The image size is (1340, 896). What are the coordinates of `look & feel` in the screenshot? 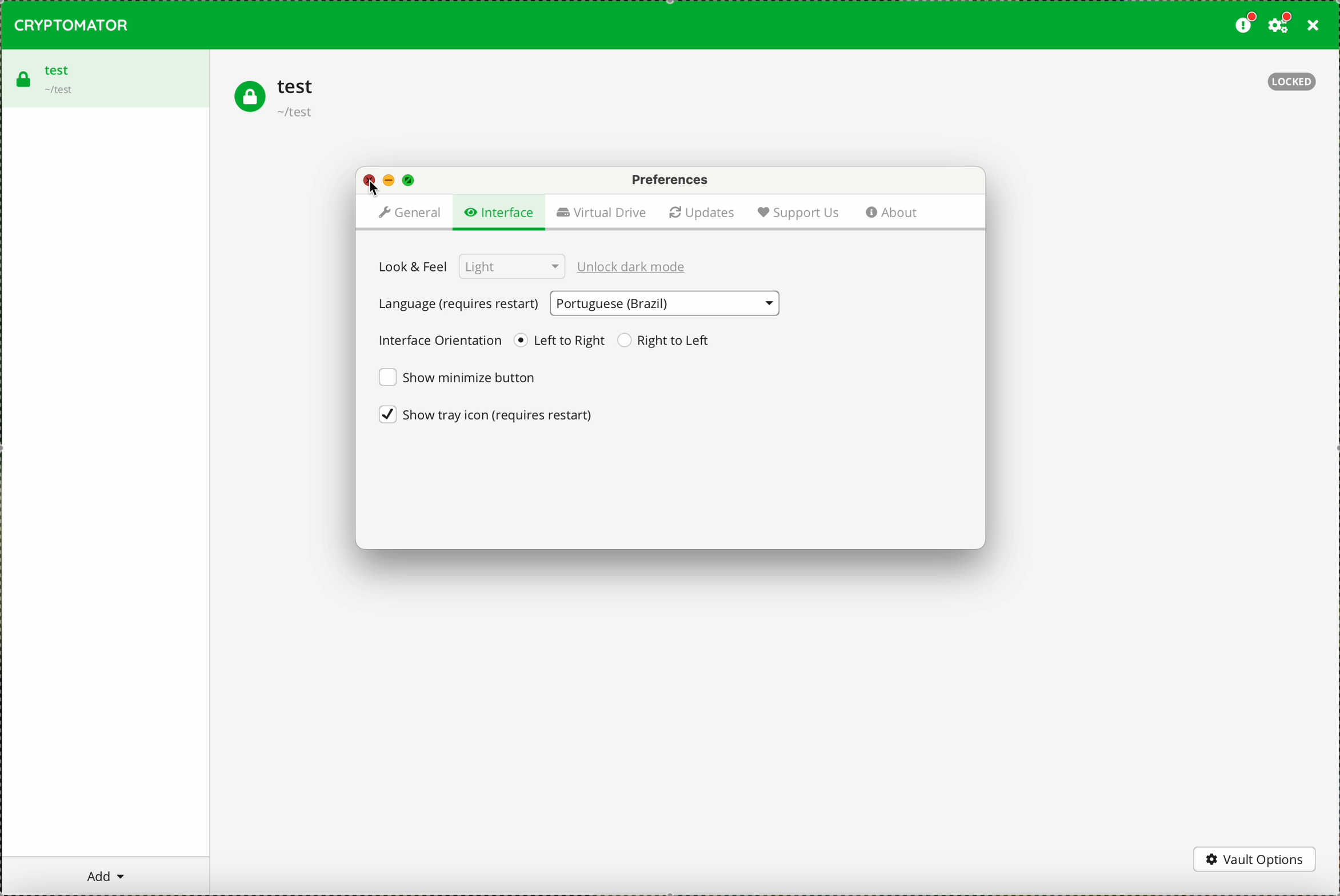 It's located at (468, 267).